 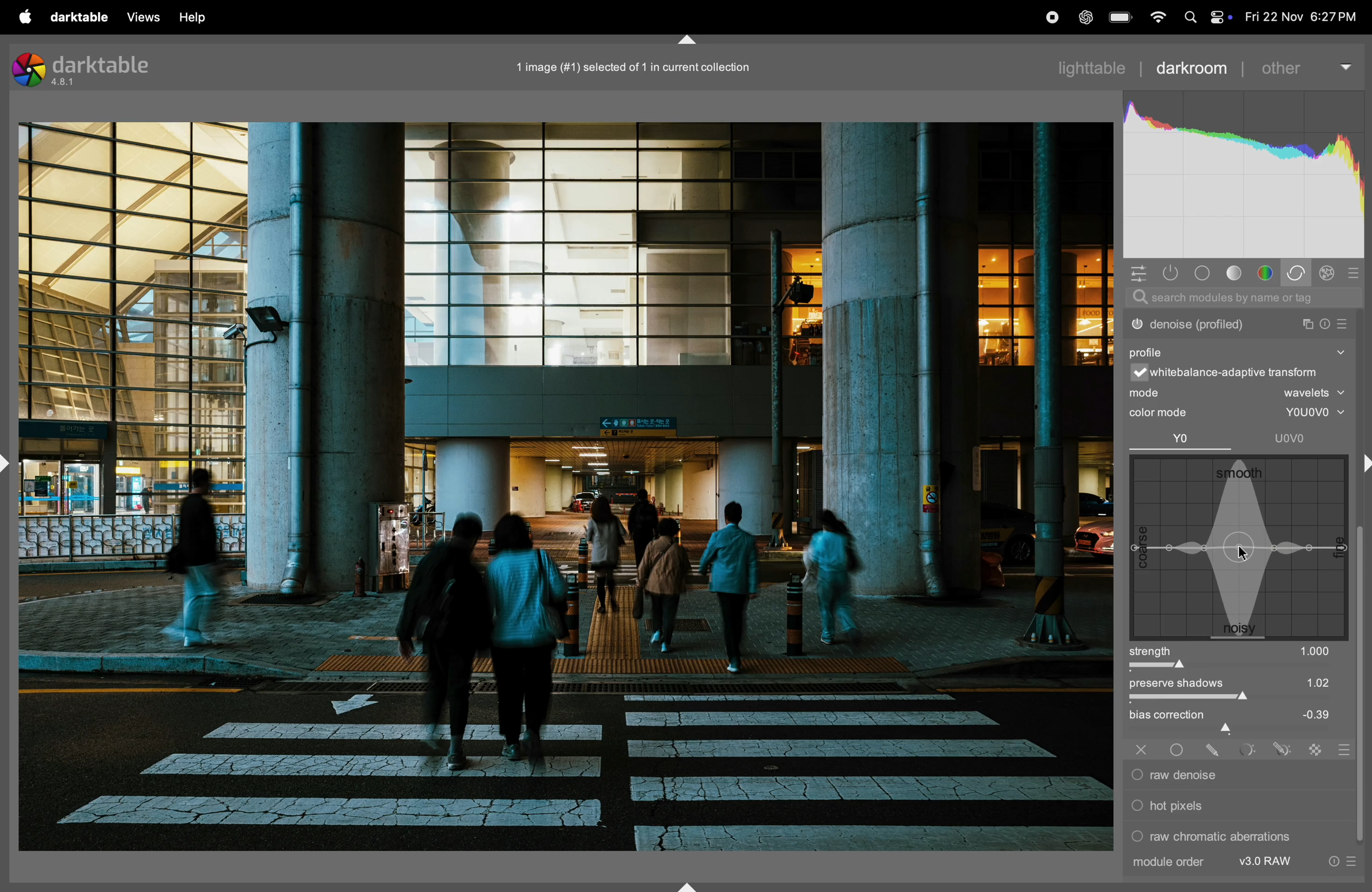 What do you see at coordinates (1139, 274) in the screenshot?
I see `quick acess panel` at bounding box center [1139, 274].